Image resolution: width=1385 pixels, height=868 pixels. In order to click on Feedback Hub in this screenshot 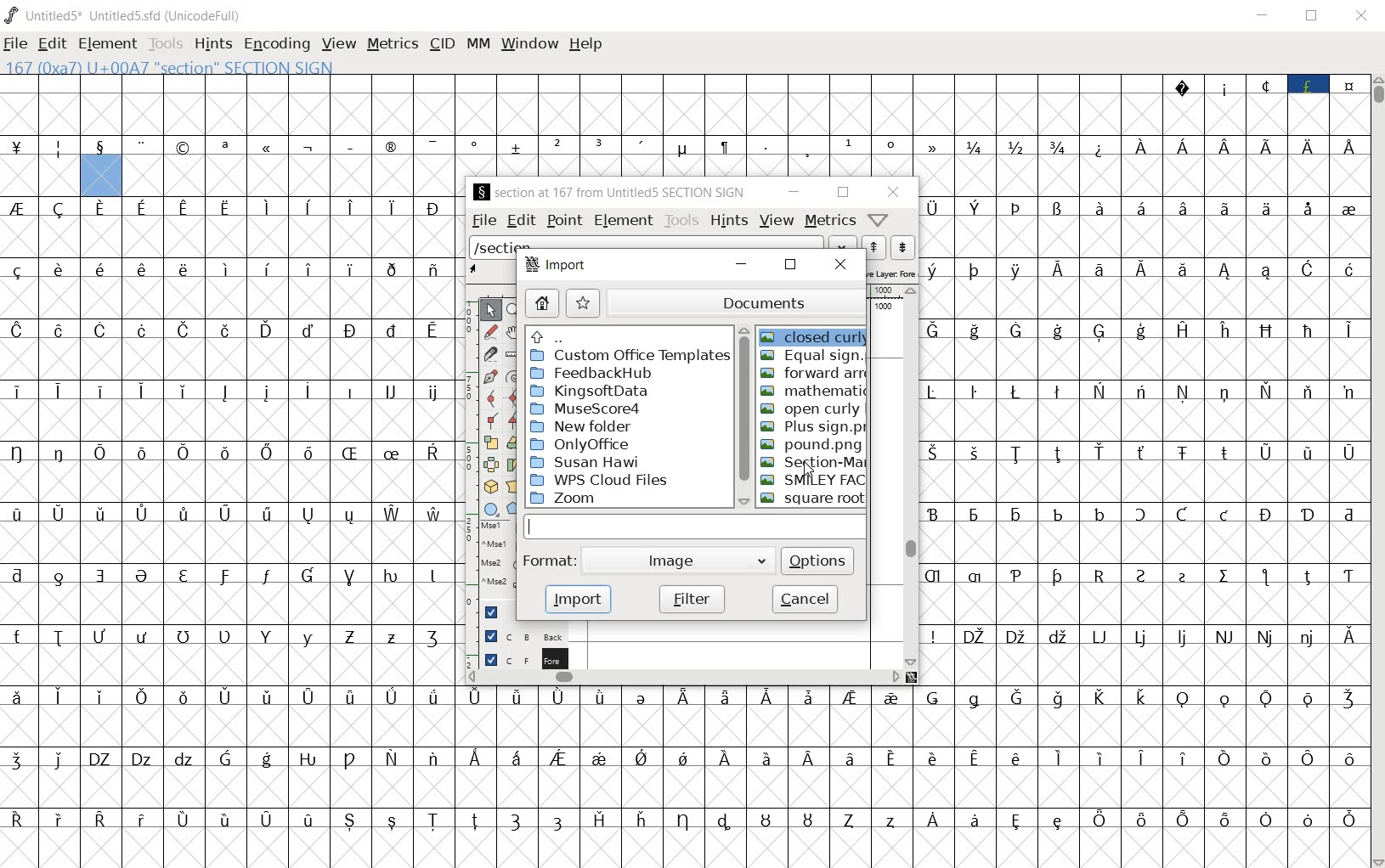, I will do `click(591, 374)`.